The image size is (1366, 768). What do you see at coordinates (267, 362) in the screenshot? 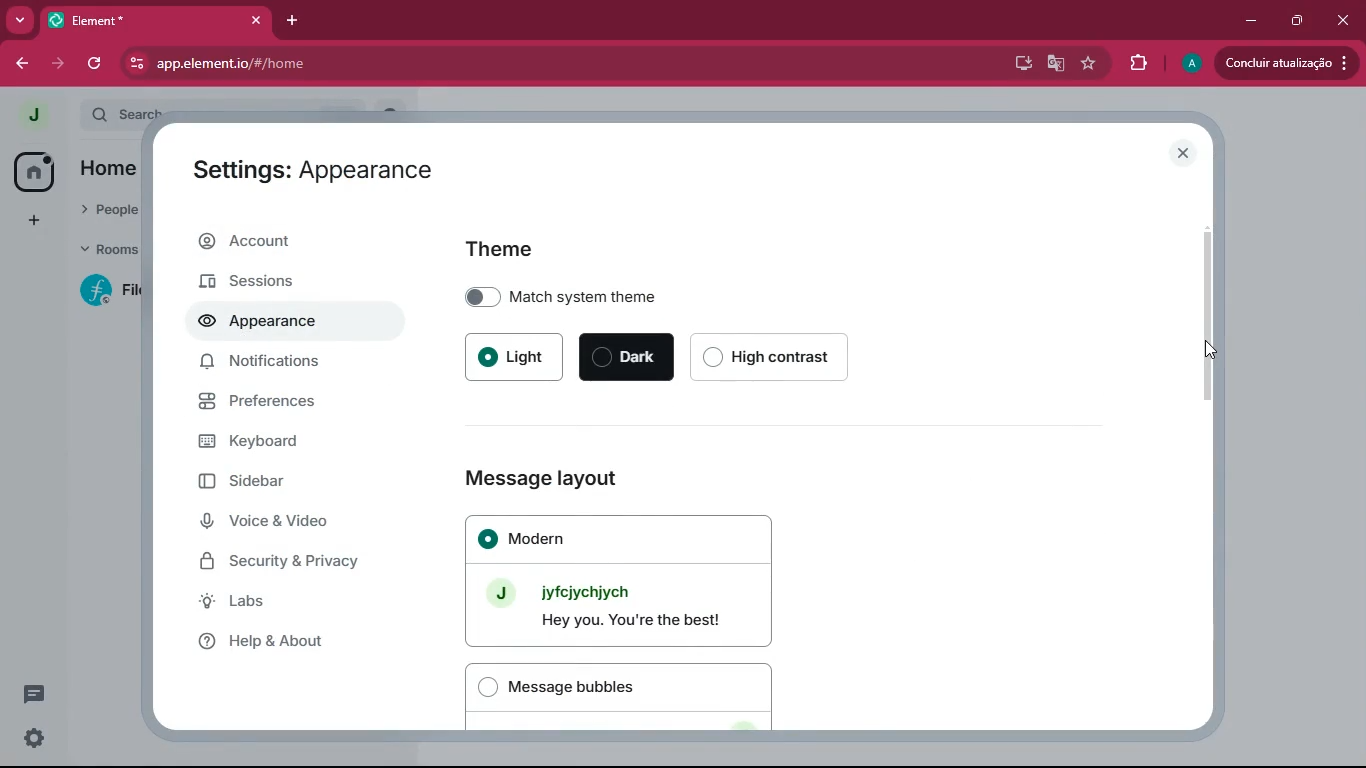
I see `notifications` at bounding box center [267, 362].